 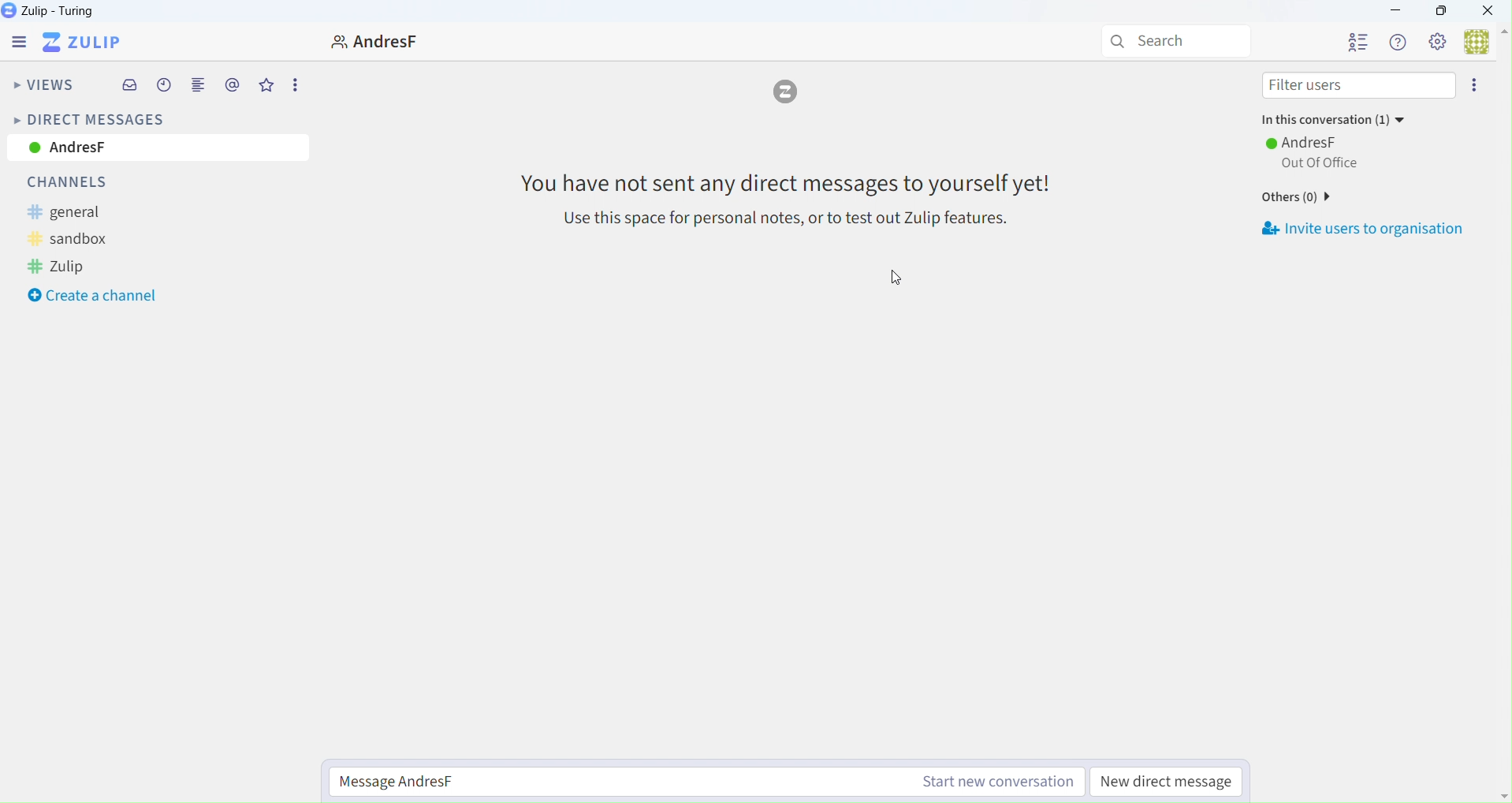 What do you see at coordinates (1400, 10) in the screenshot?
I see `minimize` at bounding box center [1400, 10].